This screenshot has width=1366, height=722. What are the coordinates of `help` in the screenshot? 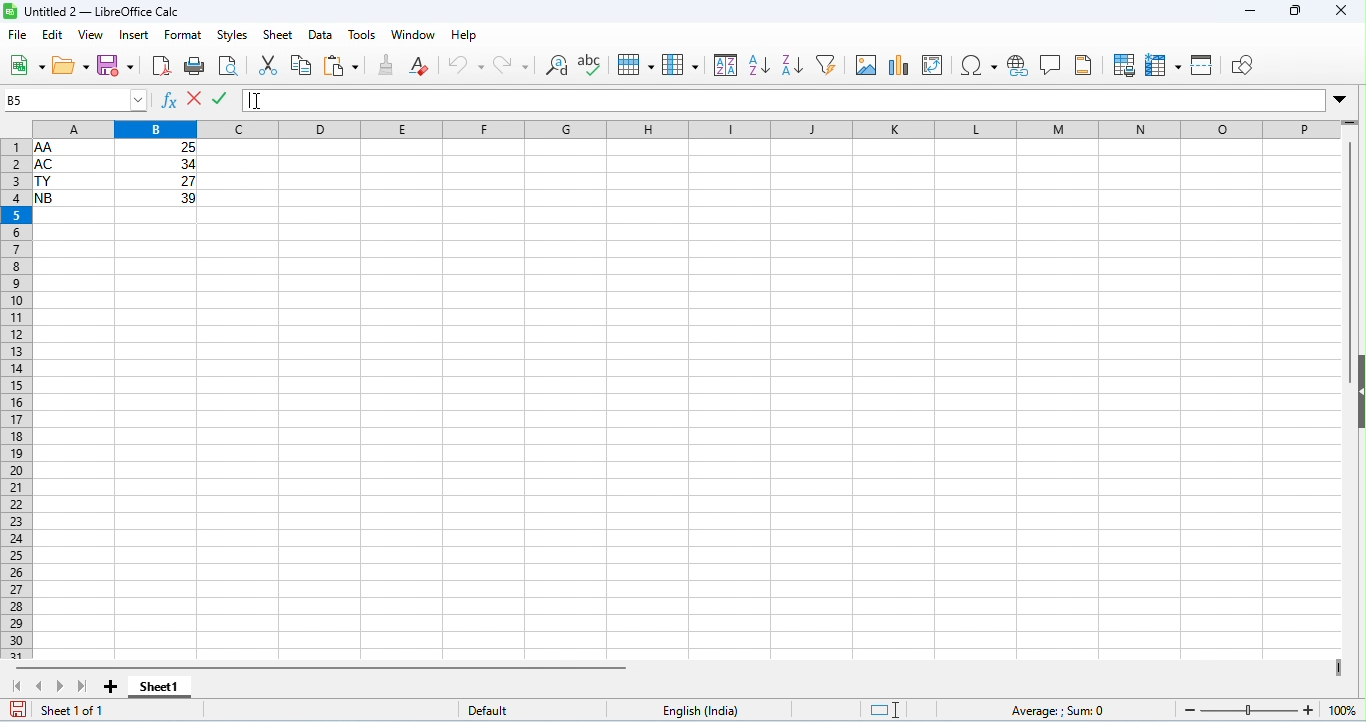 It's located at (464, 36).